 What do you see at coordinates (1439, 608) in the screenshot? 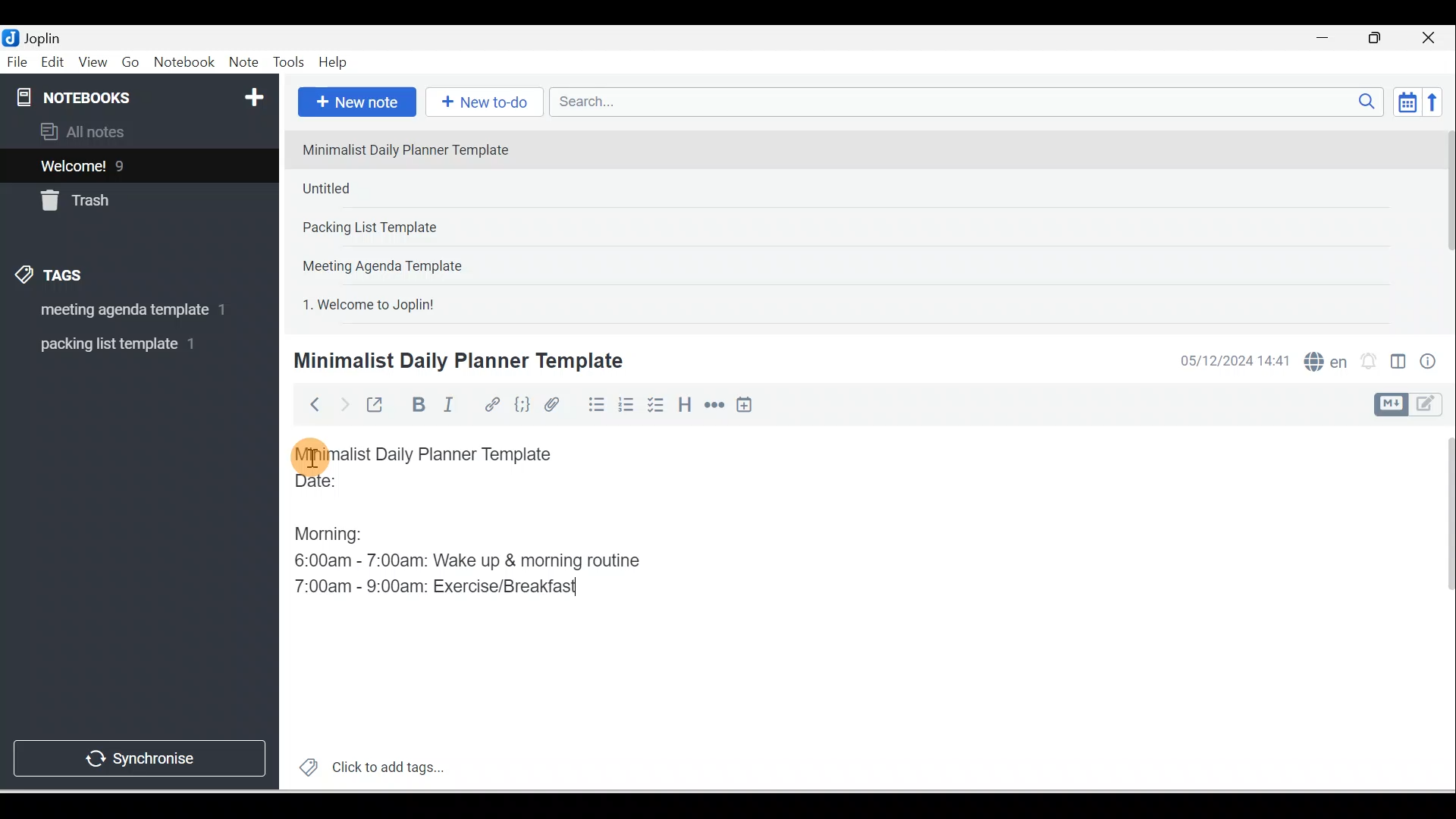
I see `Scroll bar` at bounding box center [1439, 608].